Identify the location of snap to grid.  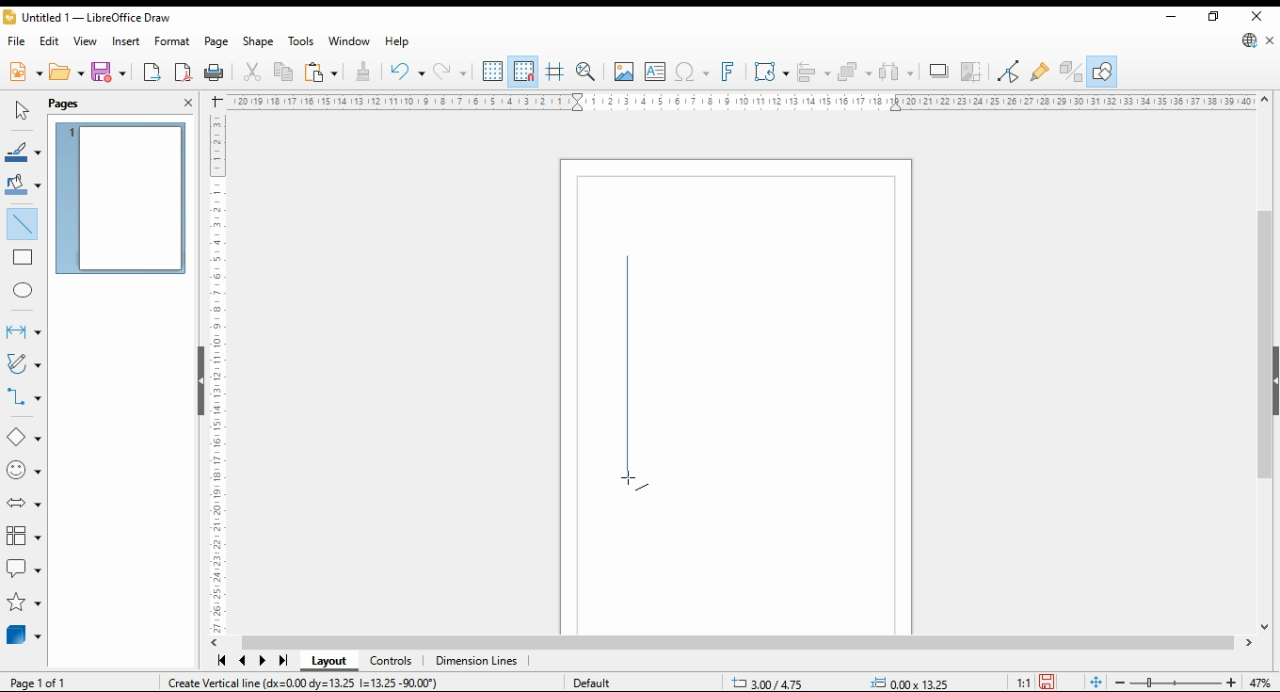
(523, 71).